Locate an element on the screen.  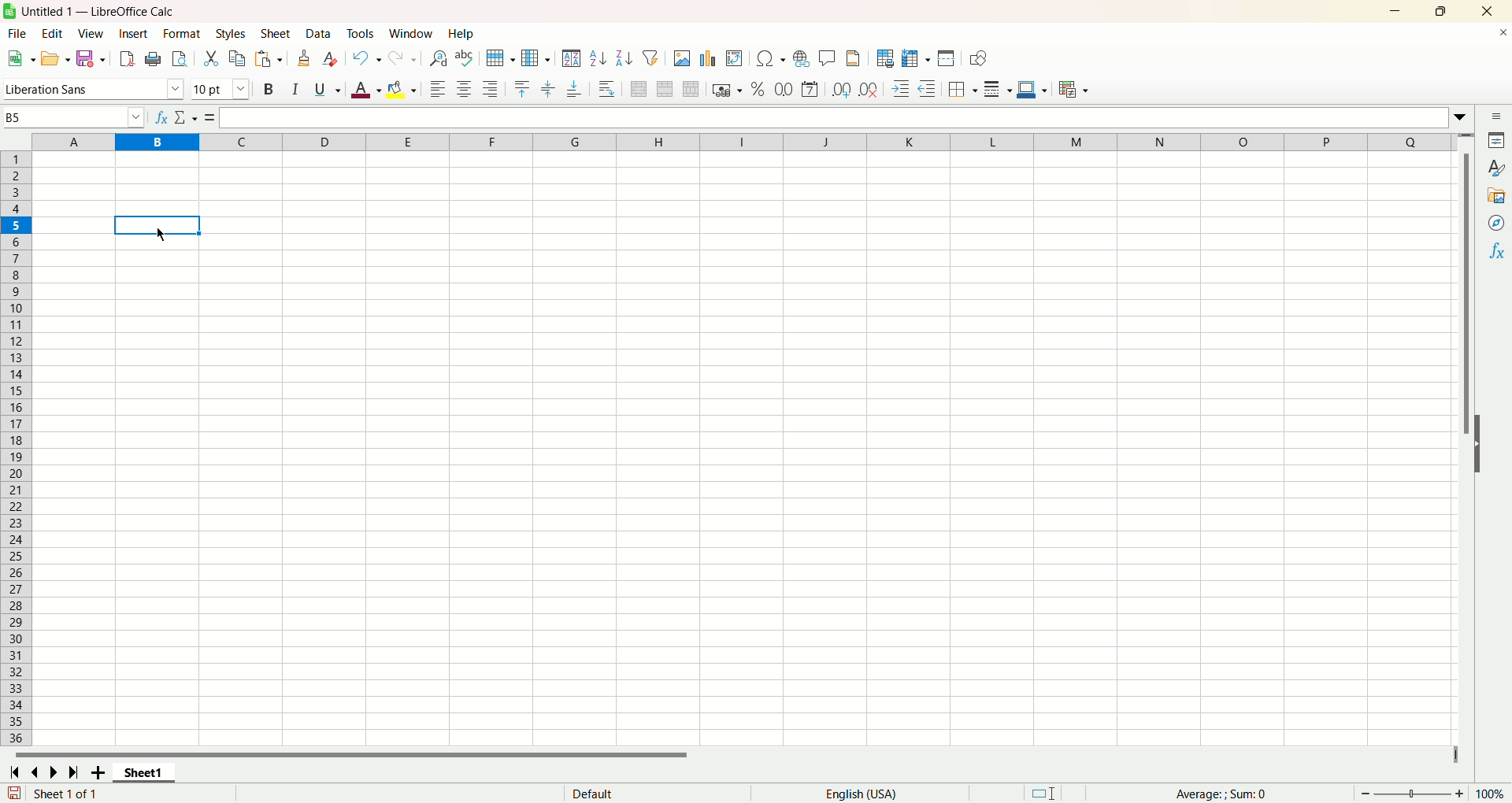
align top is located at coordinates (523, 87).